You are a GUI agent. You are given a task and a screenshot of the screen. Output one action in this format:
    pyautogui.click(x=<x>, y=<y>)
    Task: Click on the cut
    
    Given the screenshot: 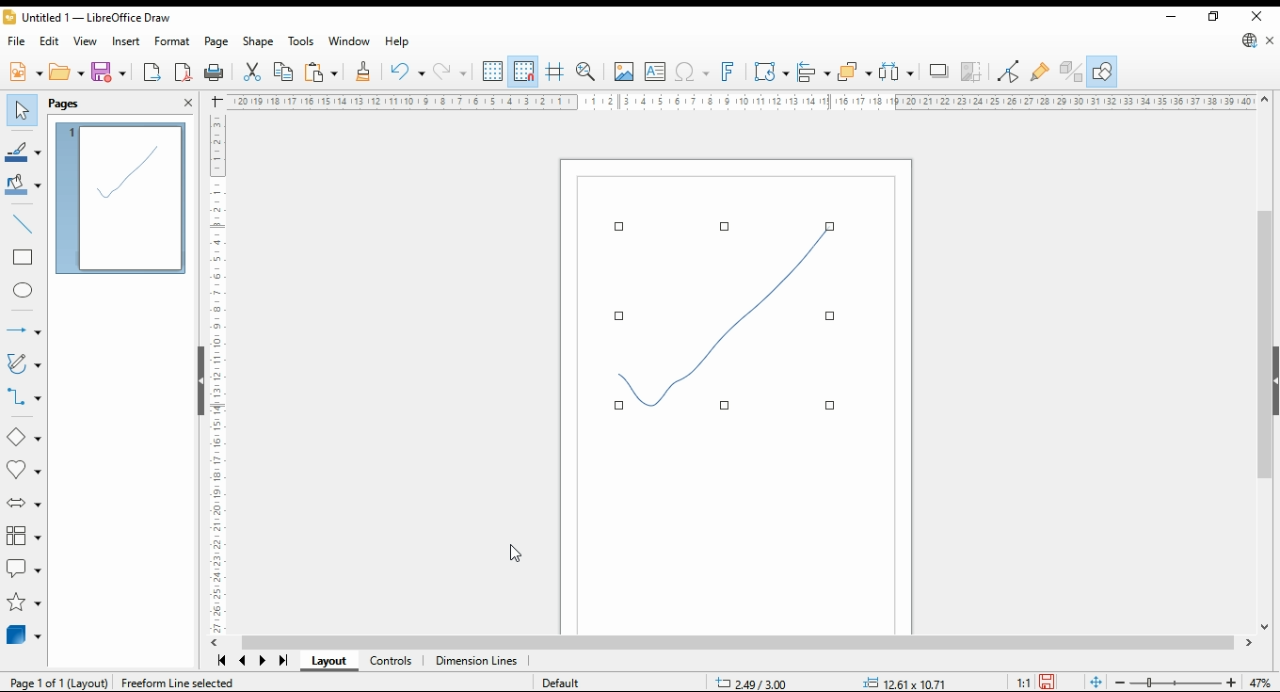 What is the action you would take?
    pyautogui.click(x=253, y=71)
    